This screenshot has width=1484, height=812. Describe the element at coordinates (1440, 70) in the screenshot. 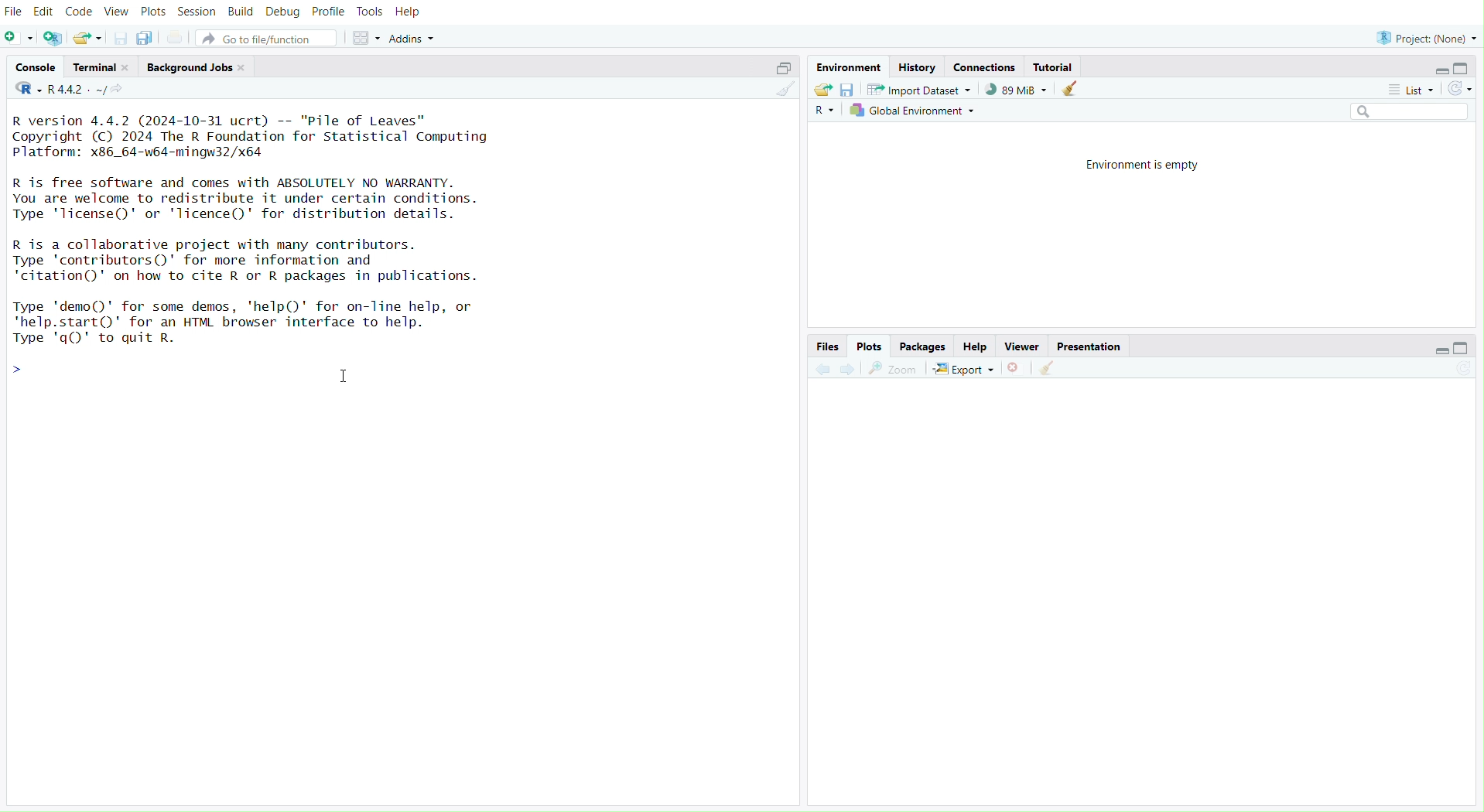

I see `Minimize` at that location.